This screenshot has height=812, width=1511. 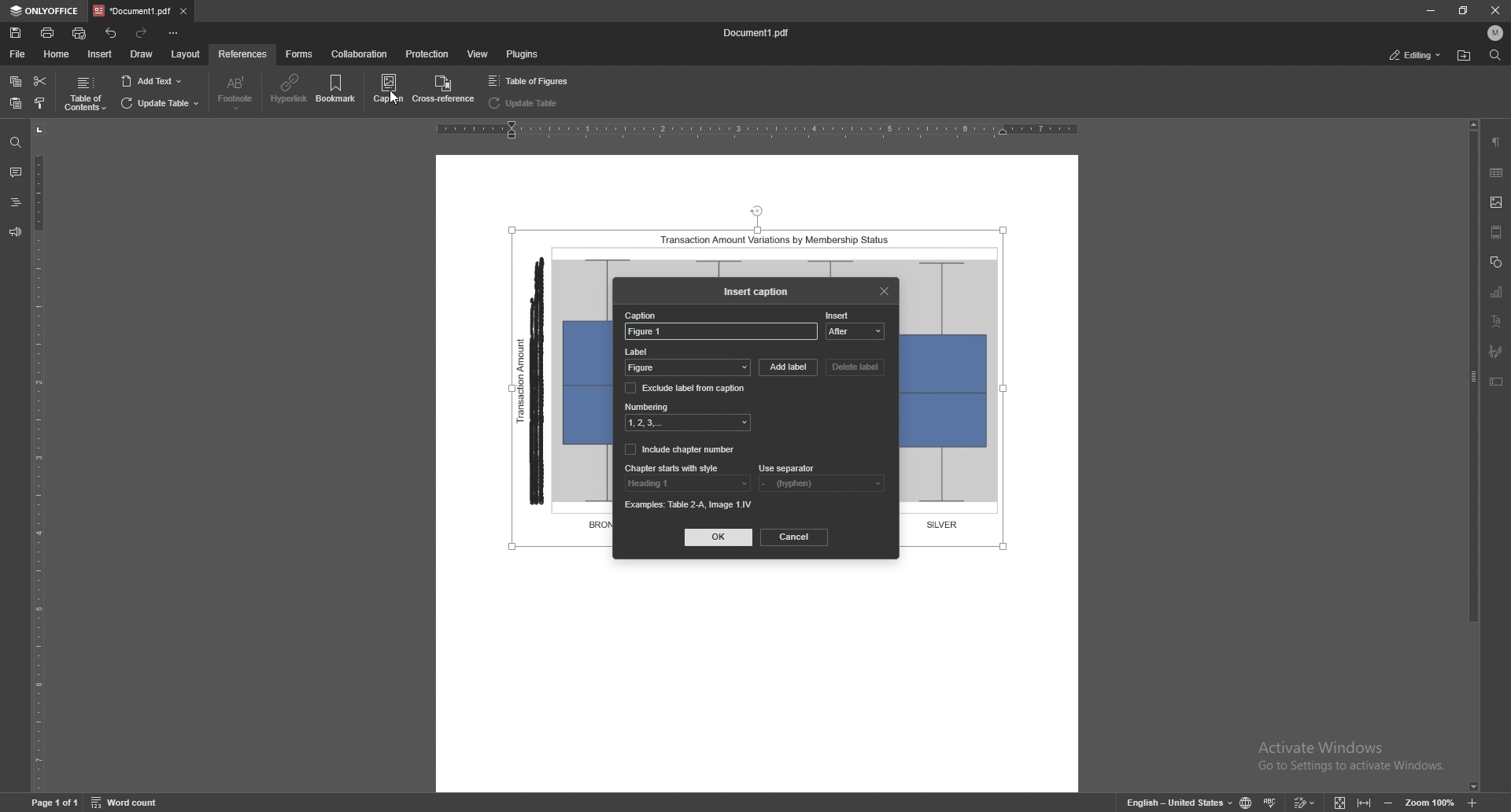 What do you see at coordinates (526, 103) in the screenshot?
I see `update table` at bounding box center [526, 103].